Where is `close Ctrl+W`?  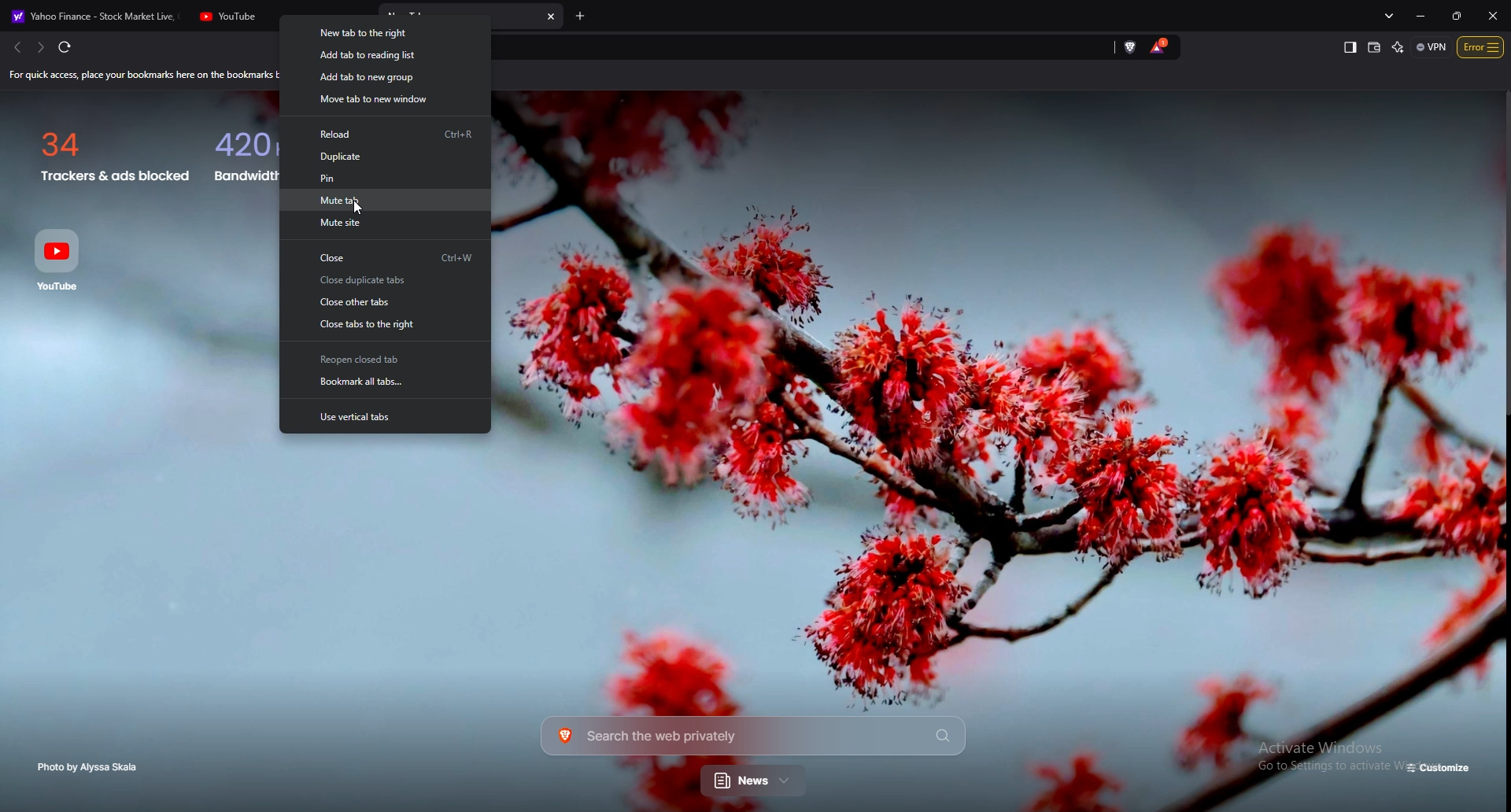
close Ctrl+W is located at coordinates (386, 255).